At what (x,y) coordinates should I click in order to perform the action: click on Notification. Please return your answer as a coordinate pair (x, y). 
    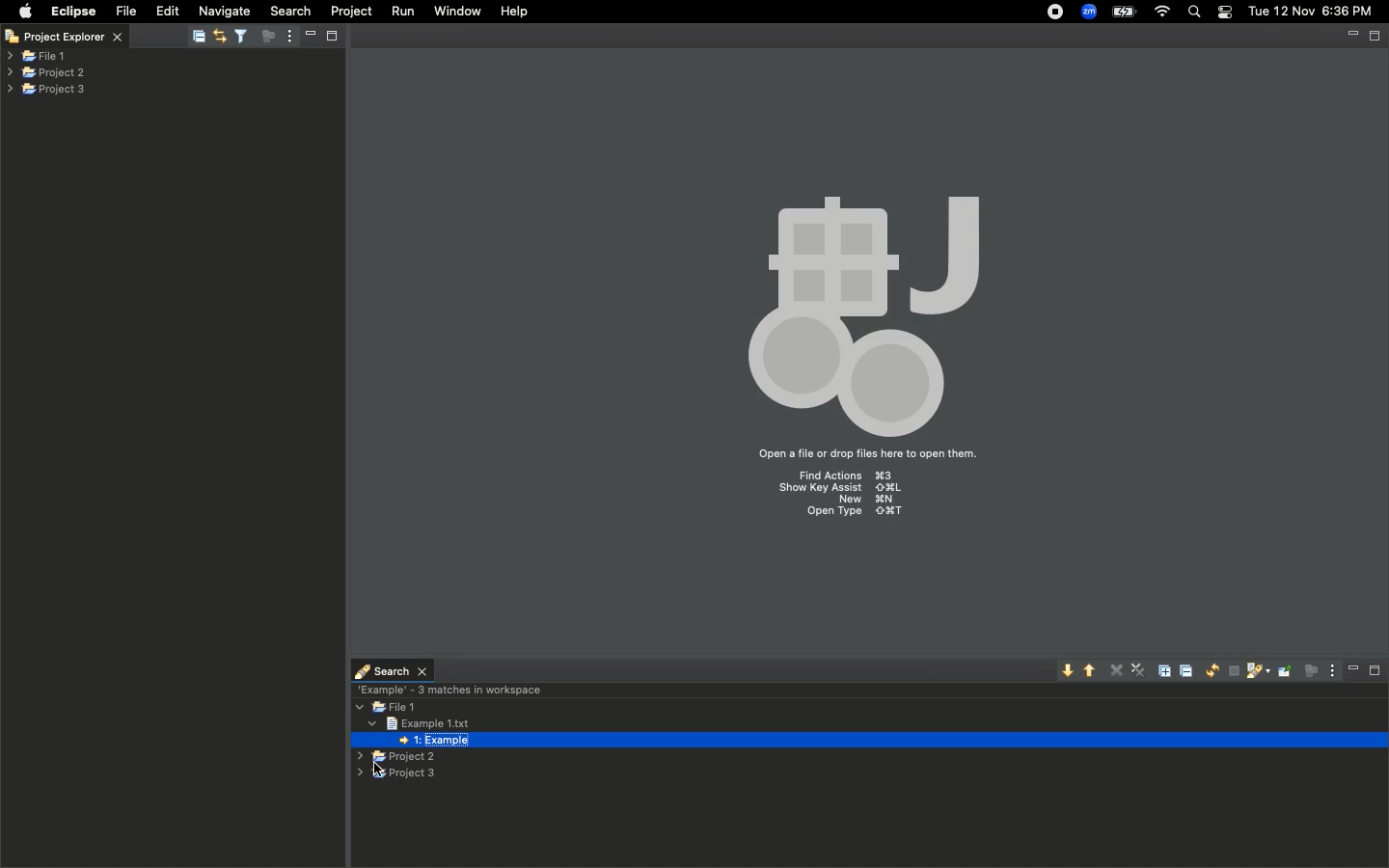
    Looking at the image, I should click on (1224, 13).